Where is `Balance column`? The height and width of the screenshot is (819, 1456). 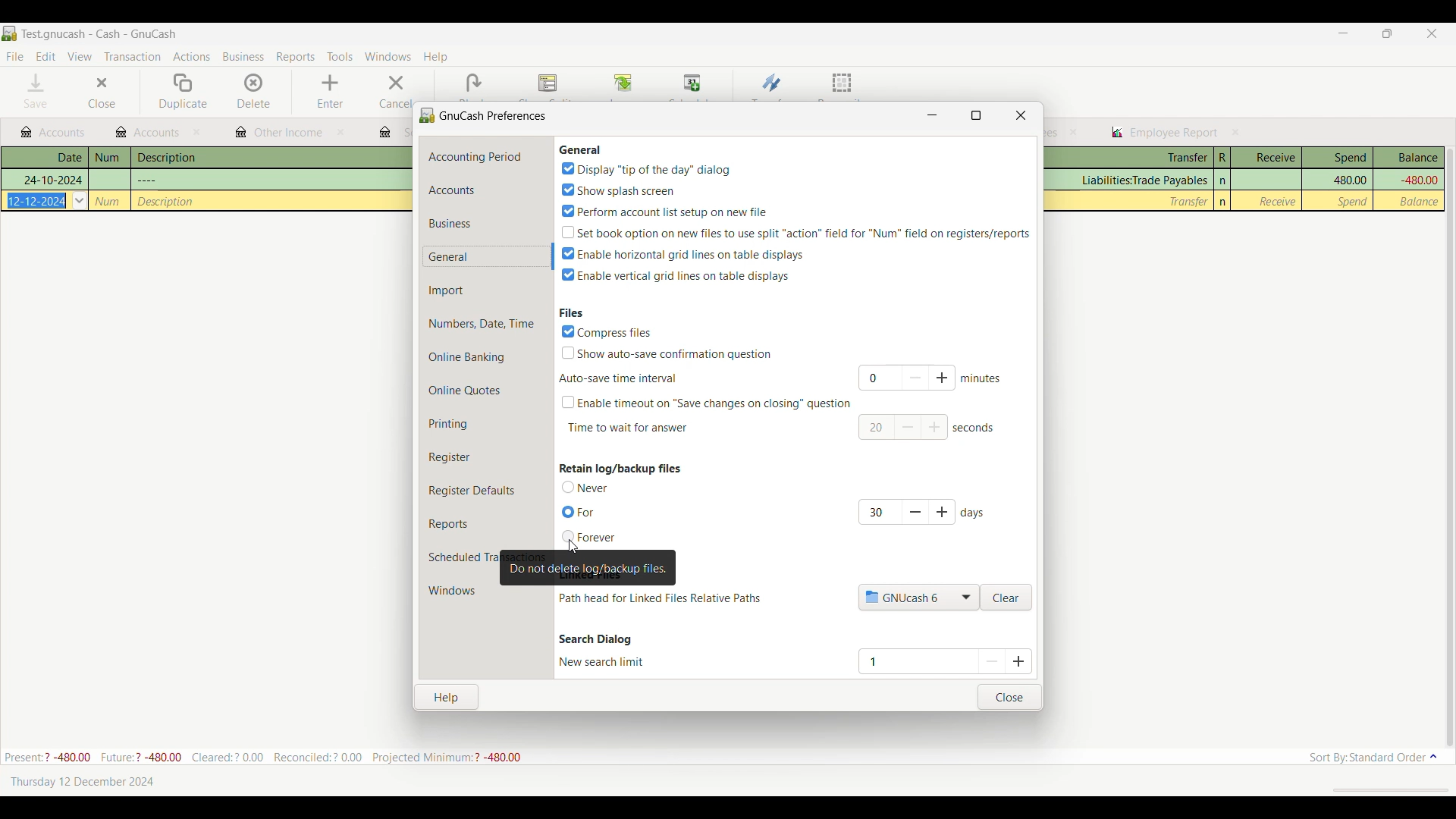 Balance column is located at coordinates (1417, 180).